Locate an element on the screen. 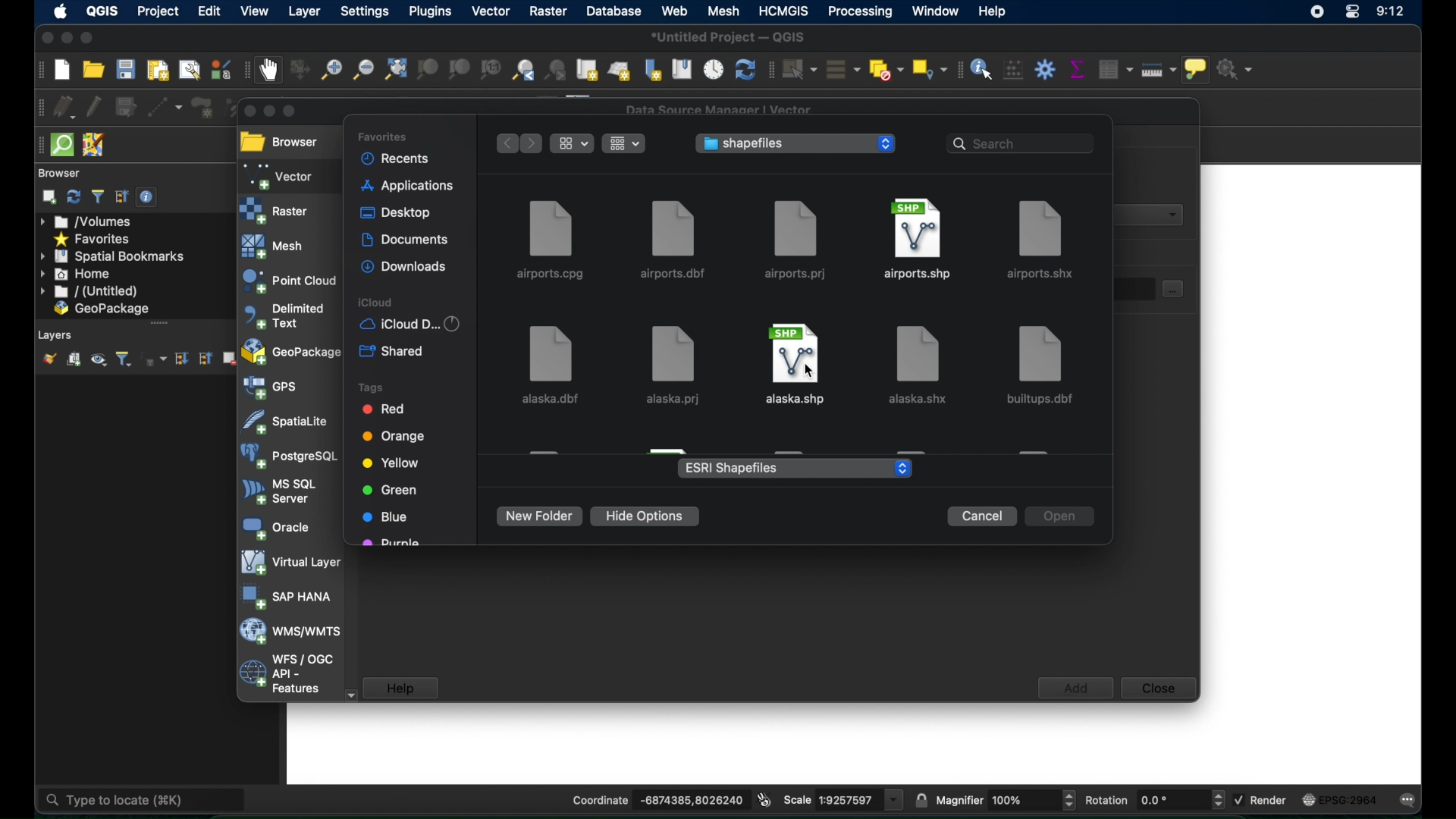  collapse all is located at coordinates (122, 197).